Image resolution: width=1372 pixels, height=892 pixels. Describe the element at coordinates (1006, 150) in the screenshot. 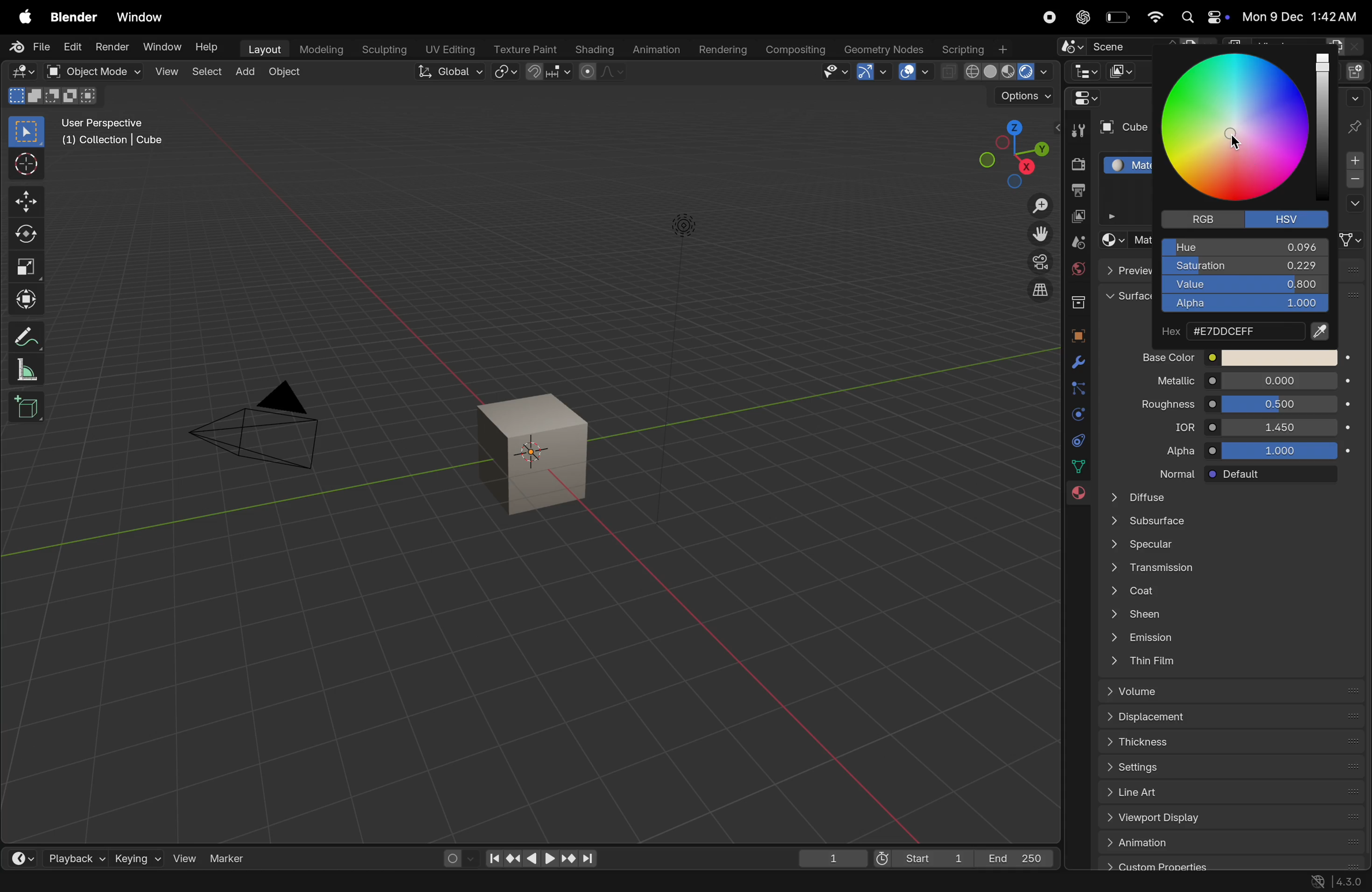

I see `view point` at that location.